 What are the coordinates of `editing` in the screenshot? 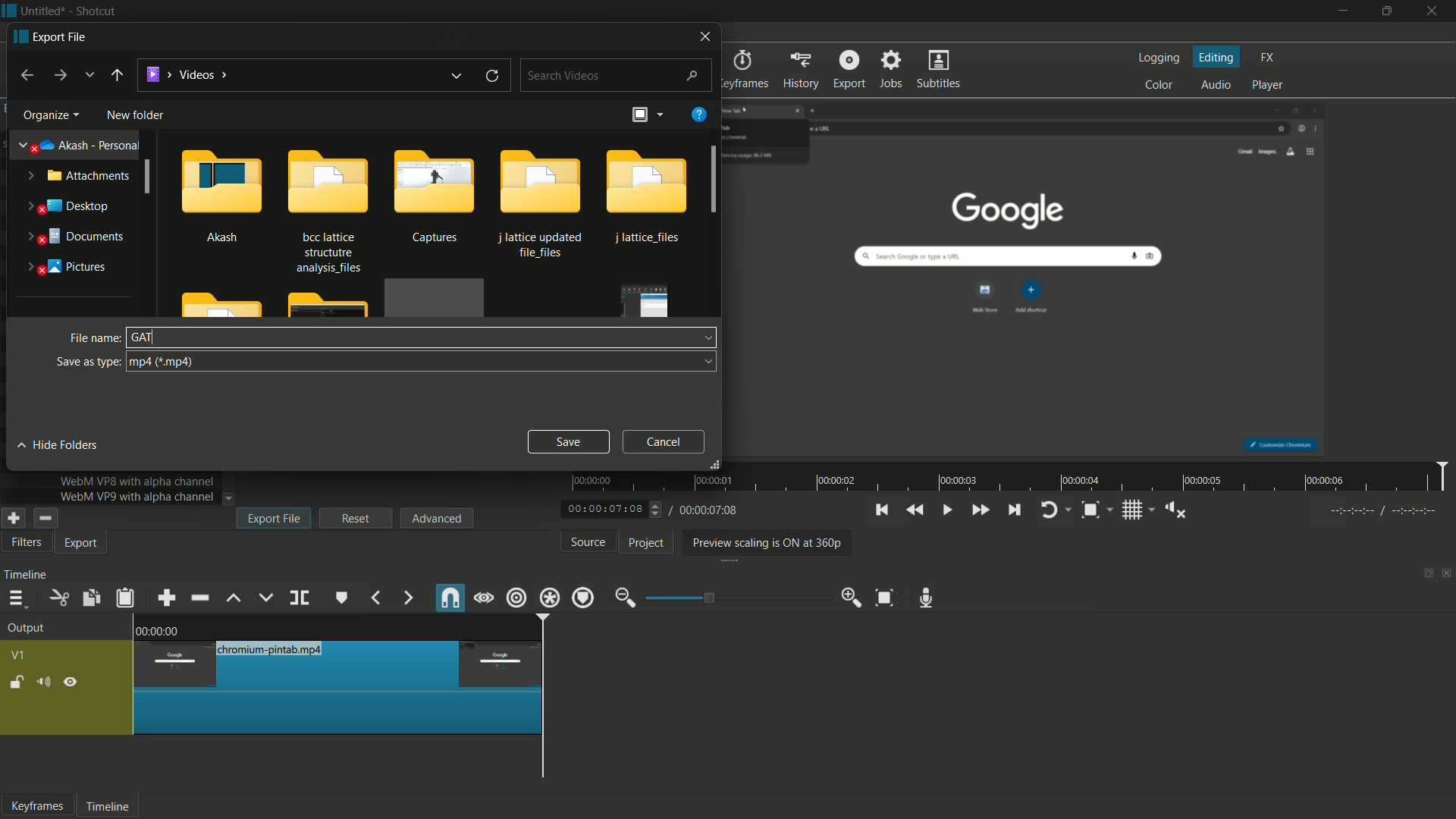 It's located at (1218, 58).